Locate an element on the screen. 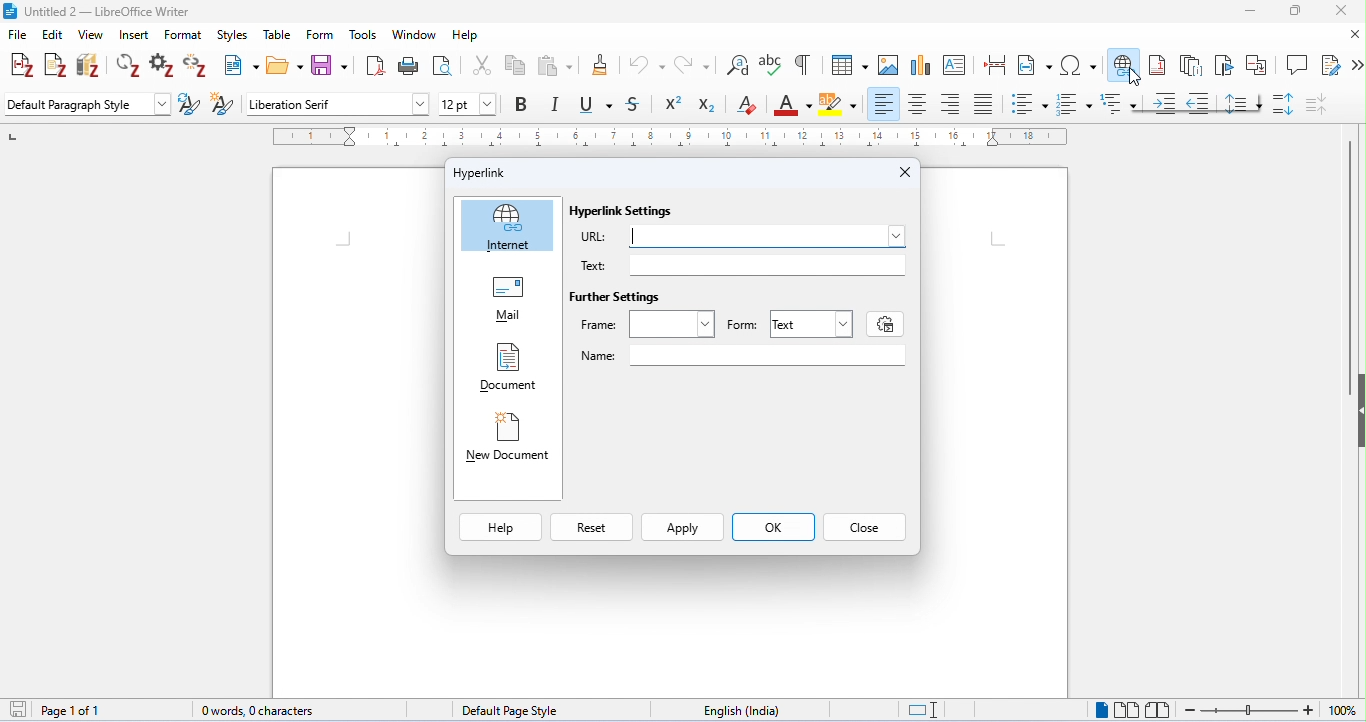 This screenshot has height=722, width=1366. vertical scroll bar is located at coordinates (1347, 268).